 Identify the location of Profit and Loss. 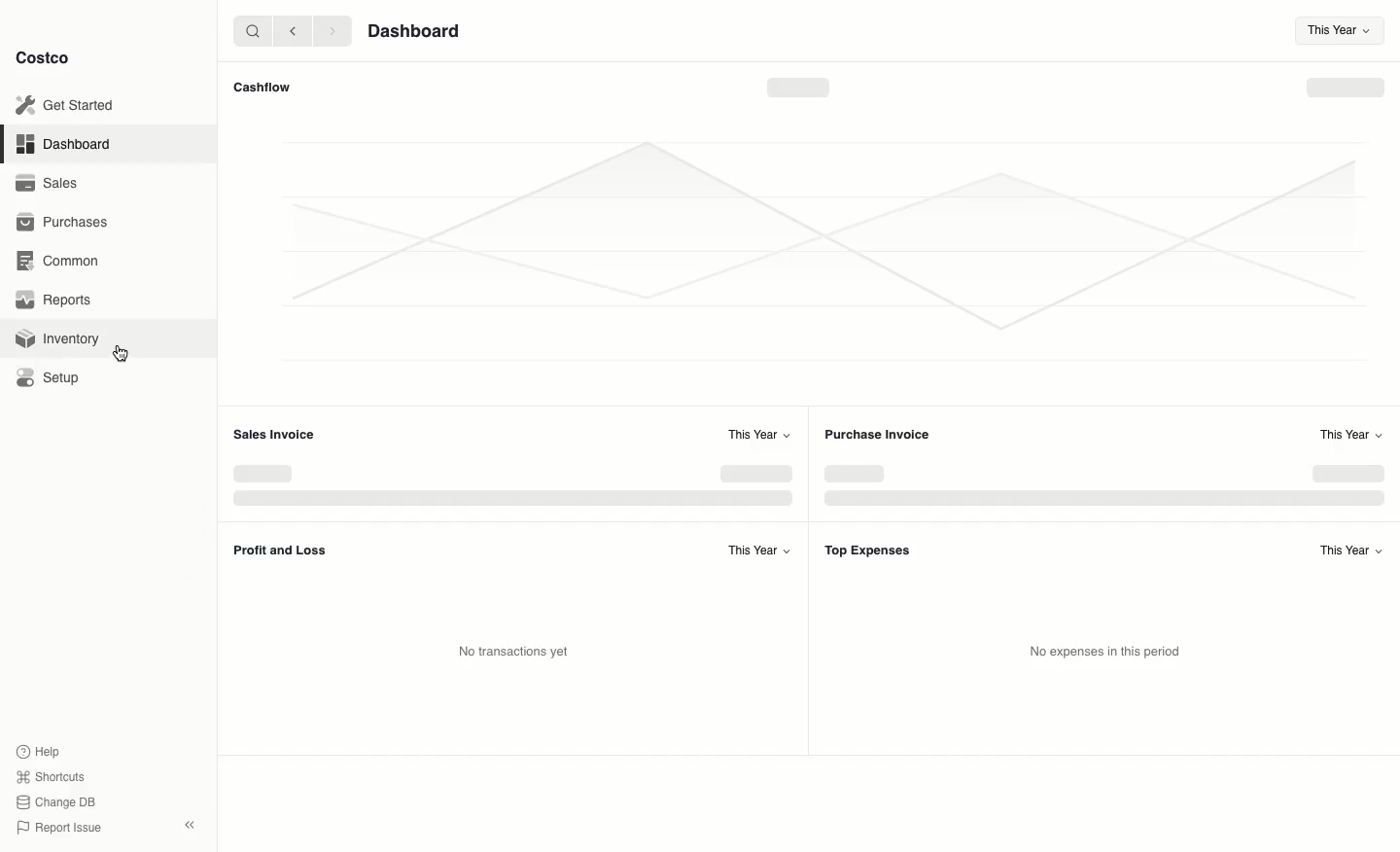
(283, 550).